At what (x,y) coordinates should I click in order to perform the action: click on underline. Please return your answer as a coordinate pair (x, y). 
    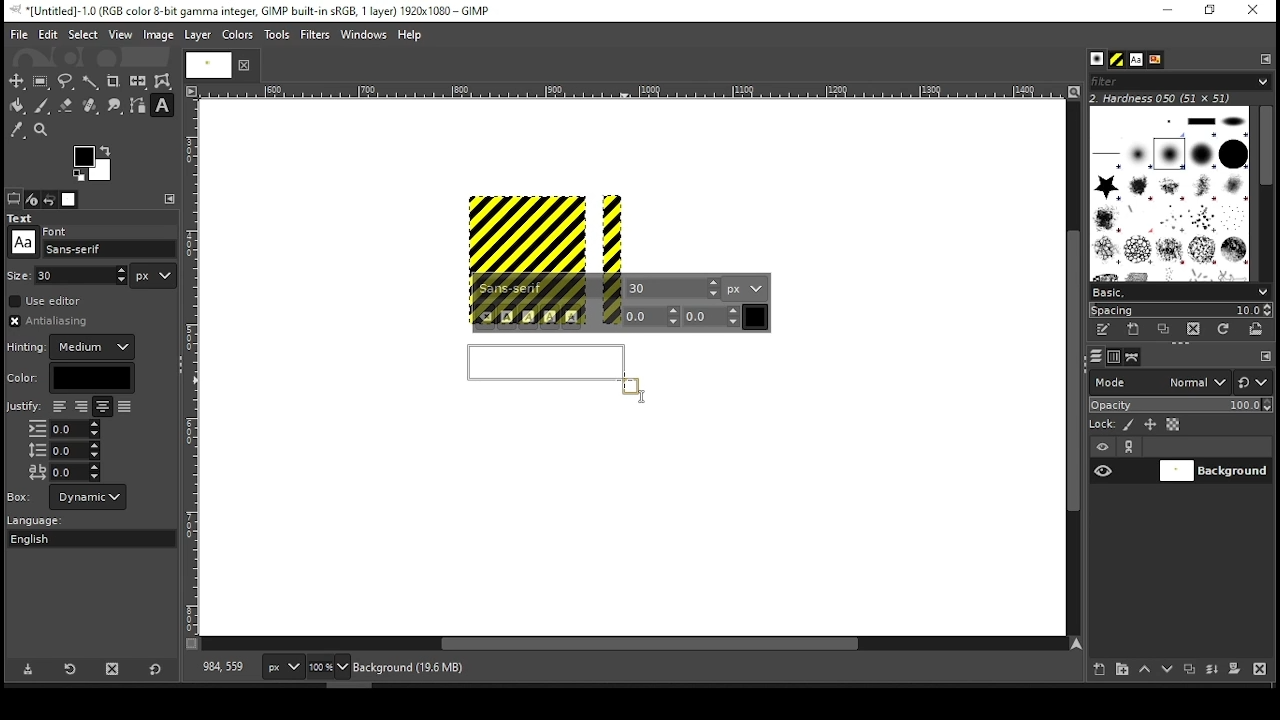
    Looking at the image, I should click on (550, 317).